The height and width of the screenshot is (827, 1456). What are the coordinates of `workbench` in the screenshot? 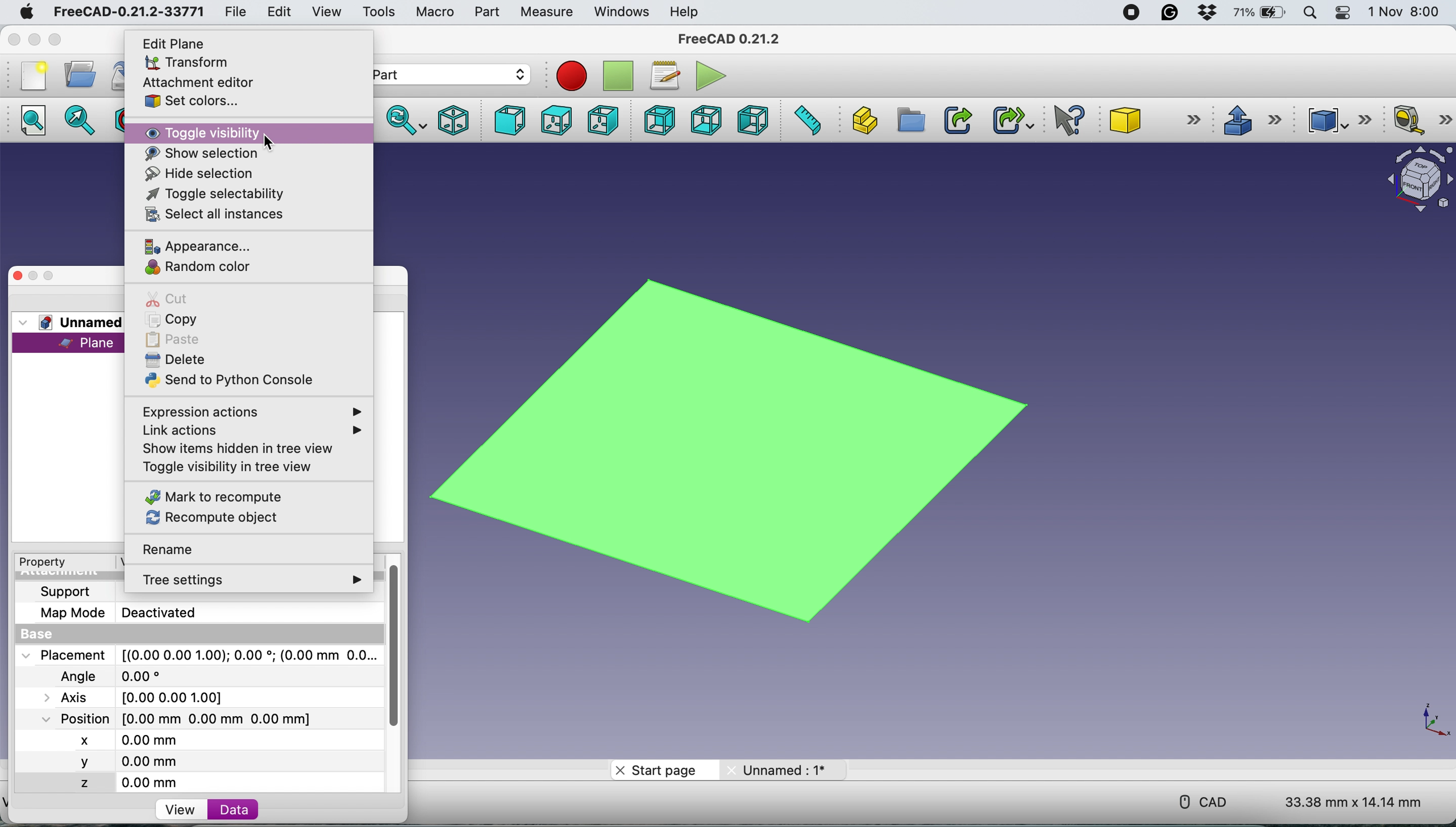 It's located at (451, 73).